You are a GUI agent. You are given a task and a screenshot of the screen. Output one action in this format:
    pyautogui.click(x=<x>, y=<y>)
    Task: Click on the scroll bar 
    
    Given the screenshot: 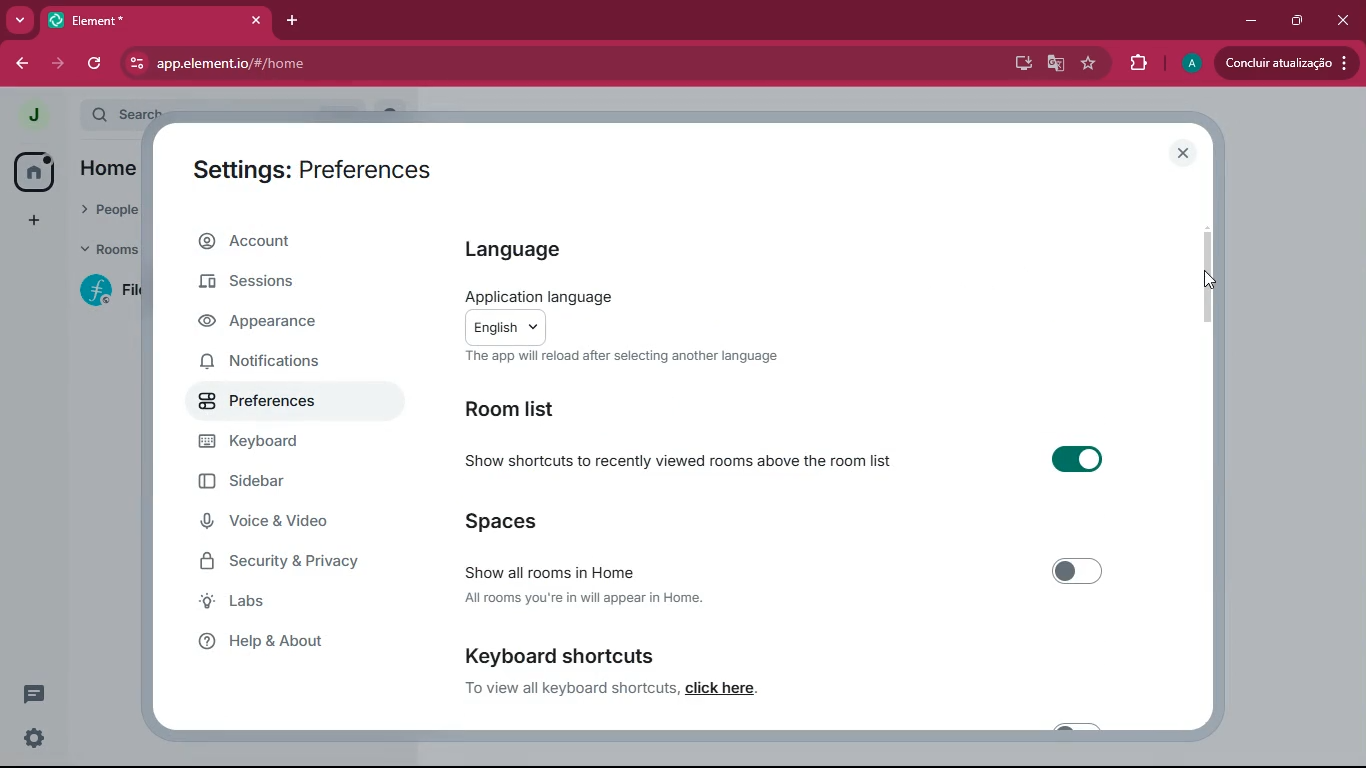 What is the action you would take?
    pyautogui.click(x=1208, y=277)
    